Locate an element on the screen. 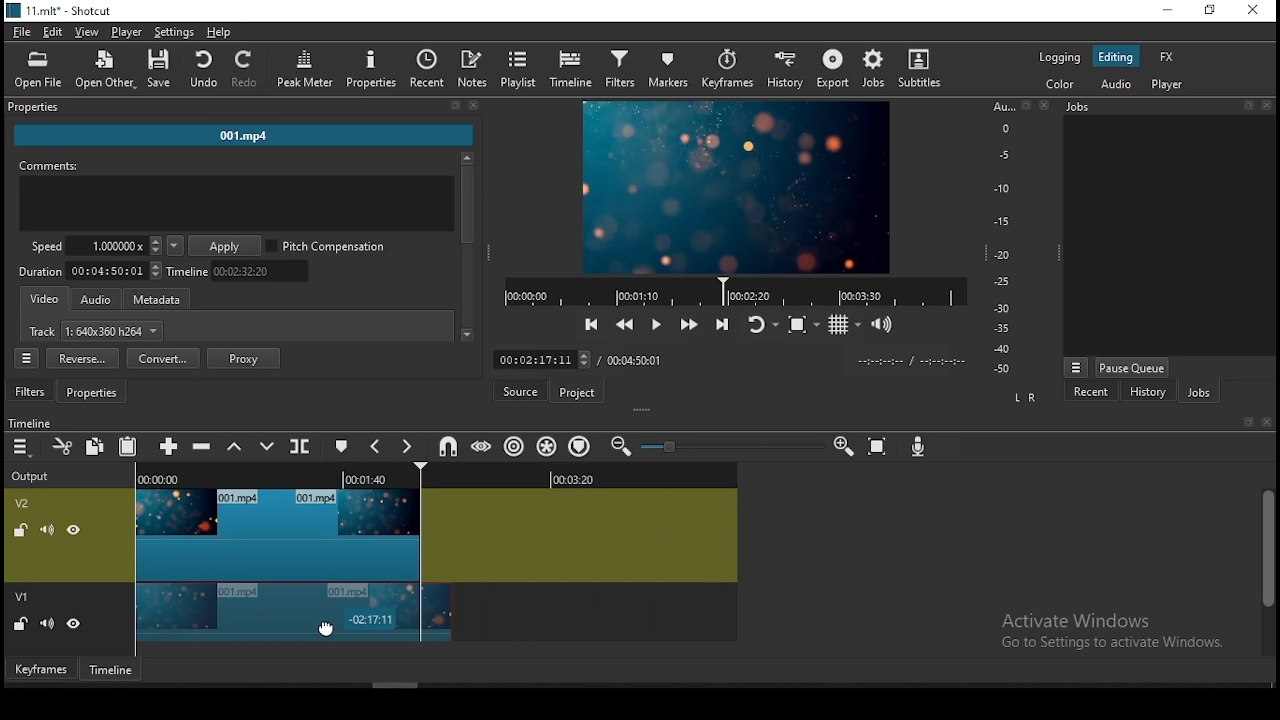 Image resolution: width=1280 pixels, height=720 pixels. L R is located at coordinates (1024, 399).